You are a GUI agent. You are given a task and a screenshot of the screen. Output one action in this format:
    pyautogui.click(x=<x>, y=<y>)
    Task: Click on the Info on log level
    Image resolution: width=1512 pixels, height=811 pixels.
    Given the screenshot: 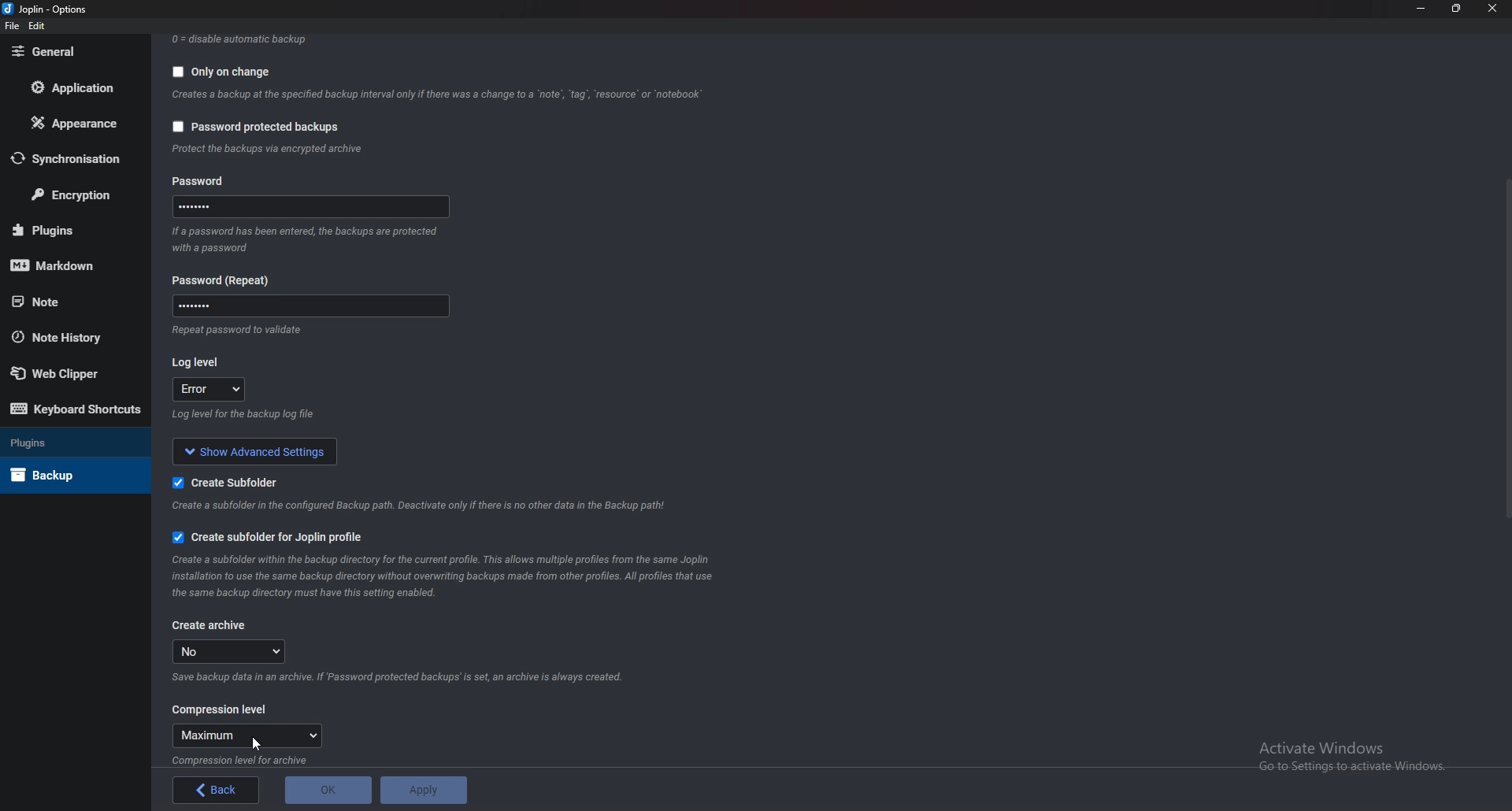 What is the action you would take?
    pyautogui.click(x=244, y=414)
    